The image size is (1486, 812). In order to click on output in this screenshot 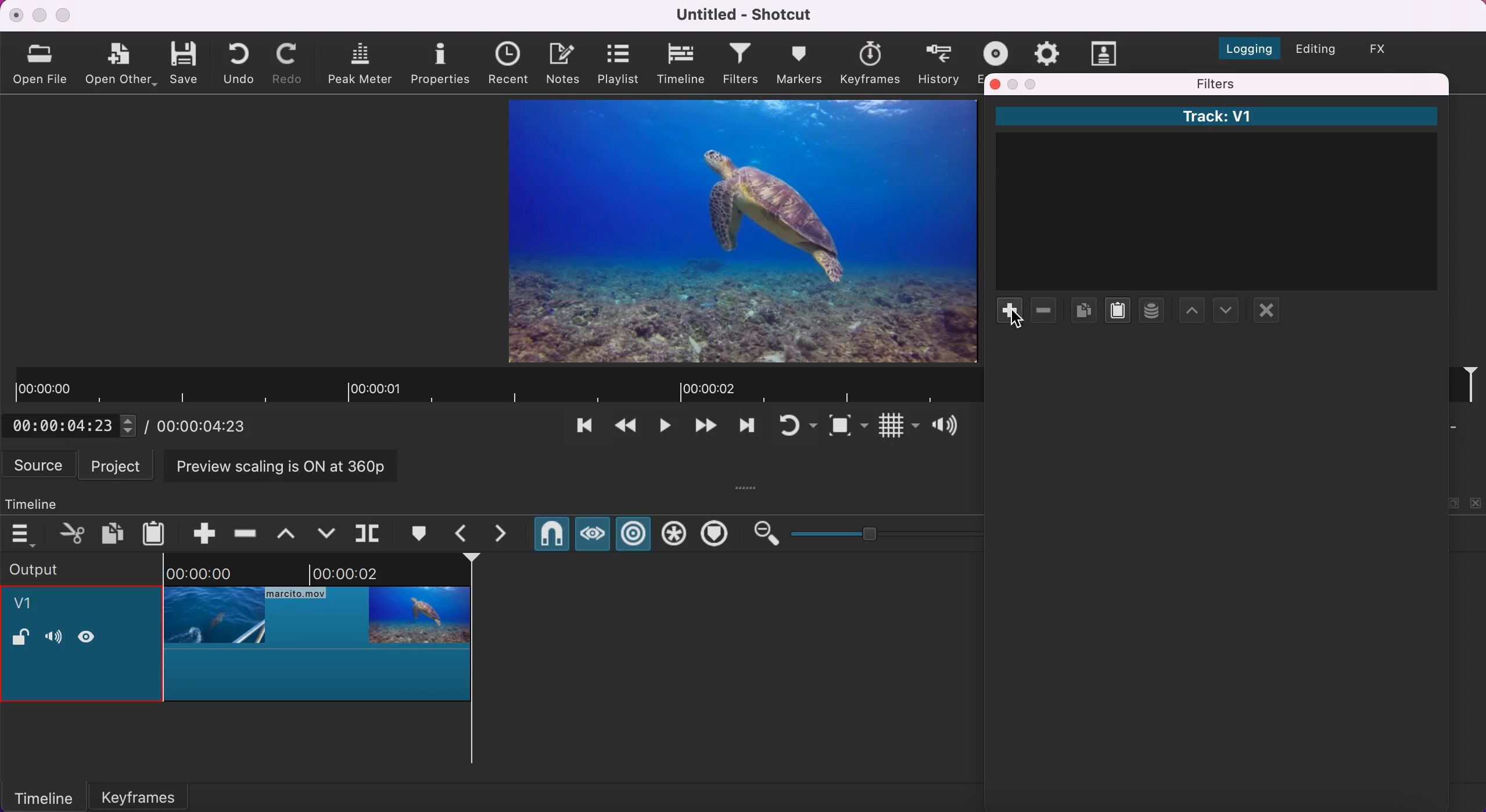, I will do `click(65, 568)`.